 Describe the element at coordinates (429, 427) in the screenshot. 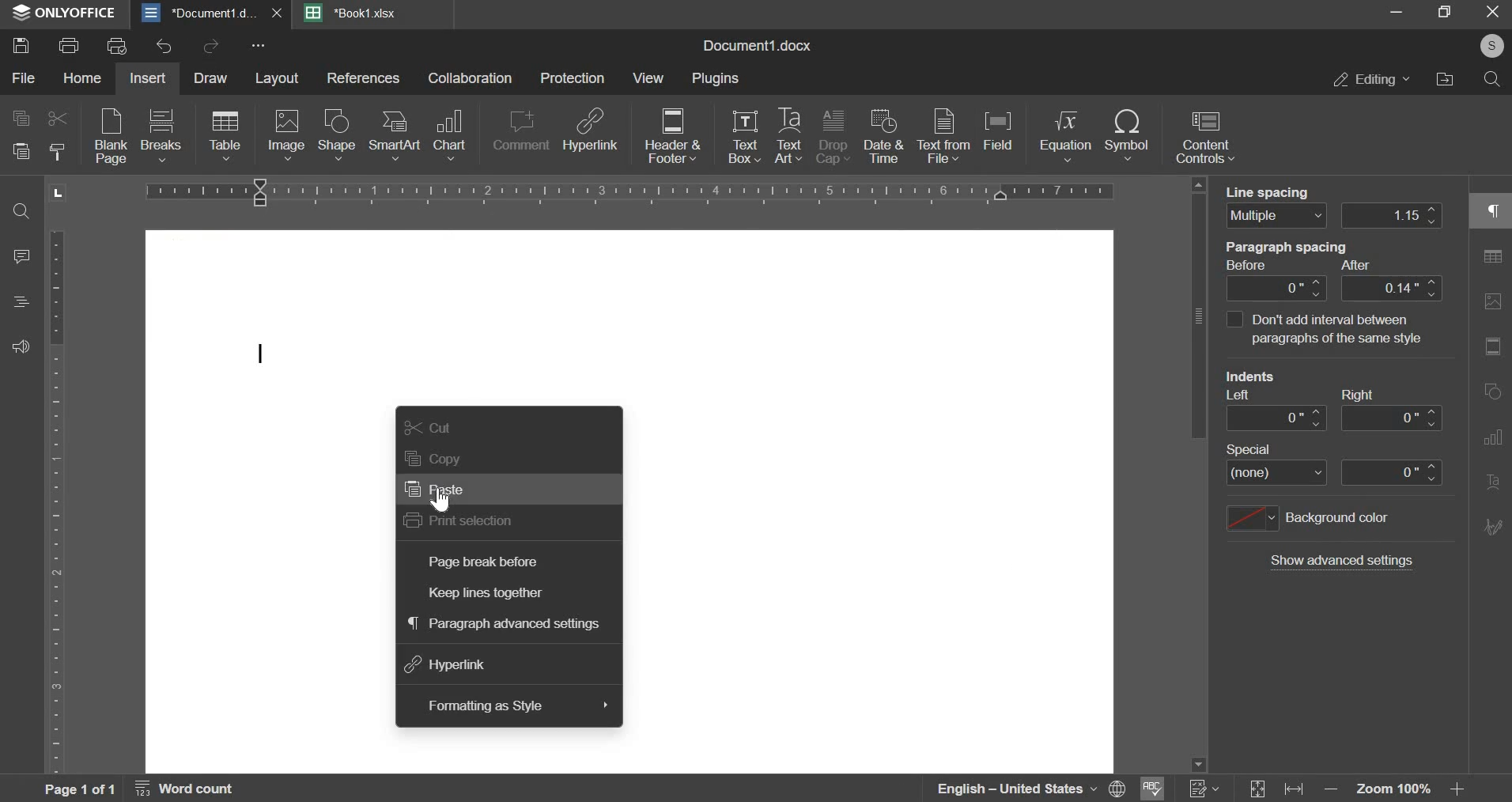

I see `cut` at that location.